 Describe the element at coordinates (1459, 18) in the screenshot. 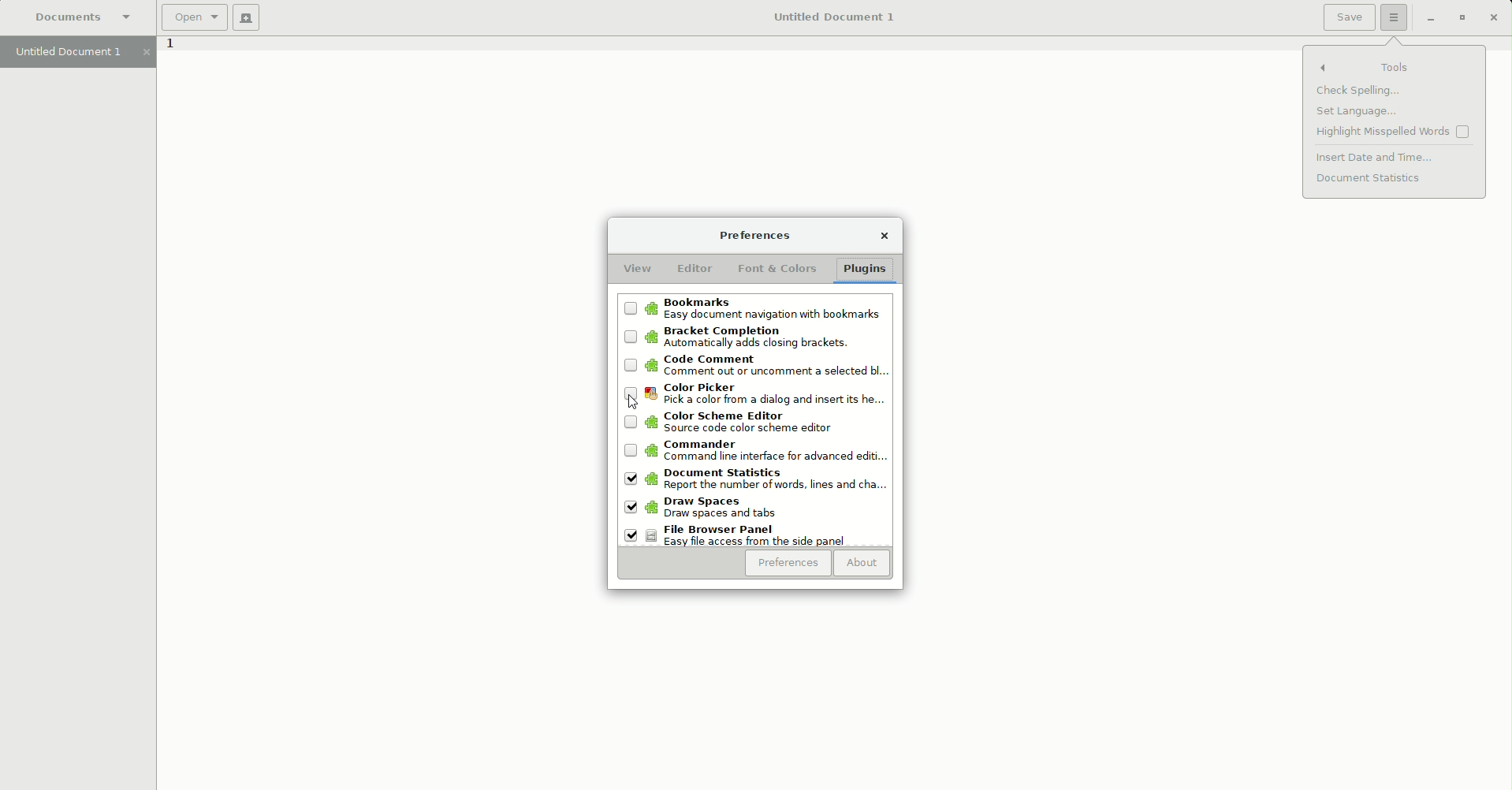

I see `Restore` at that location.